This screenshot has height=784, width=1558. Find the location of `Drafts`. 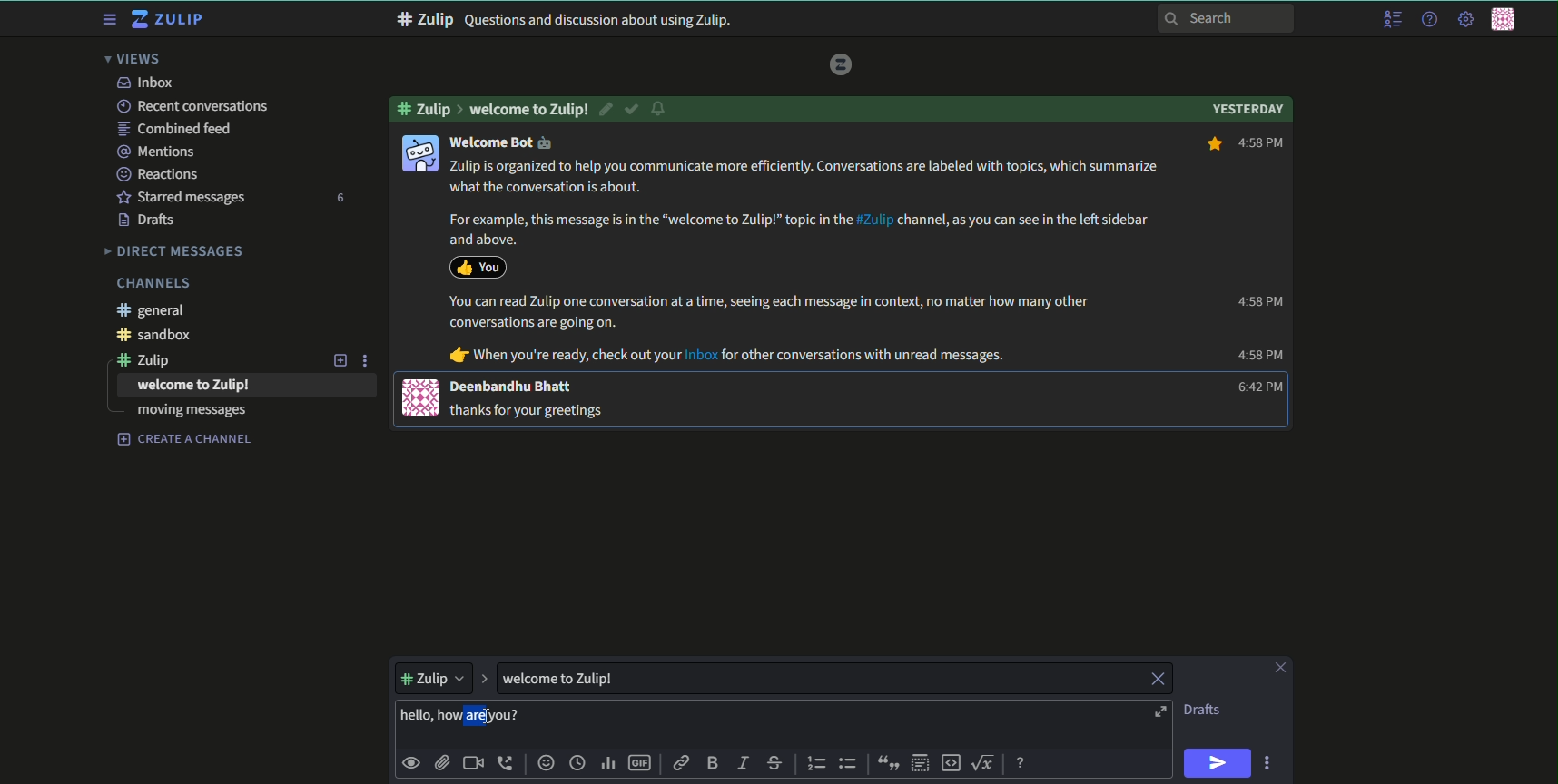

Drafts is located at coordinates (149, 220).